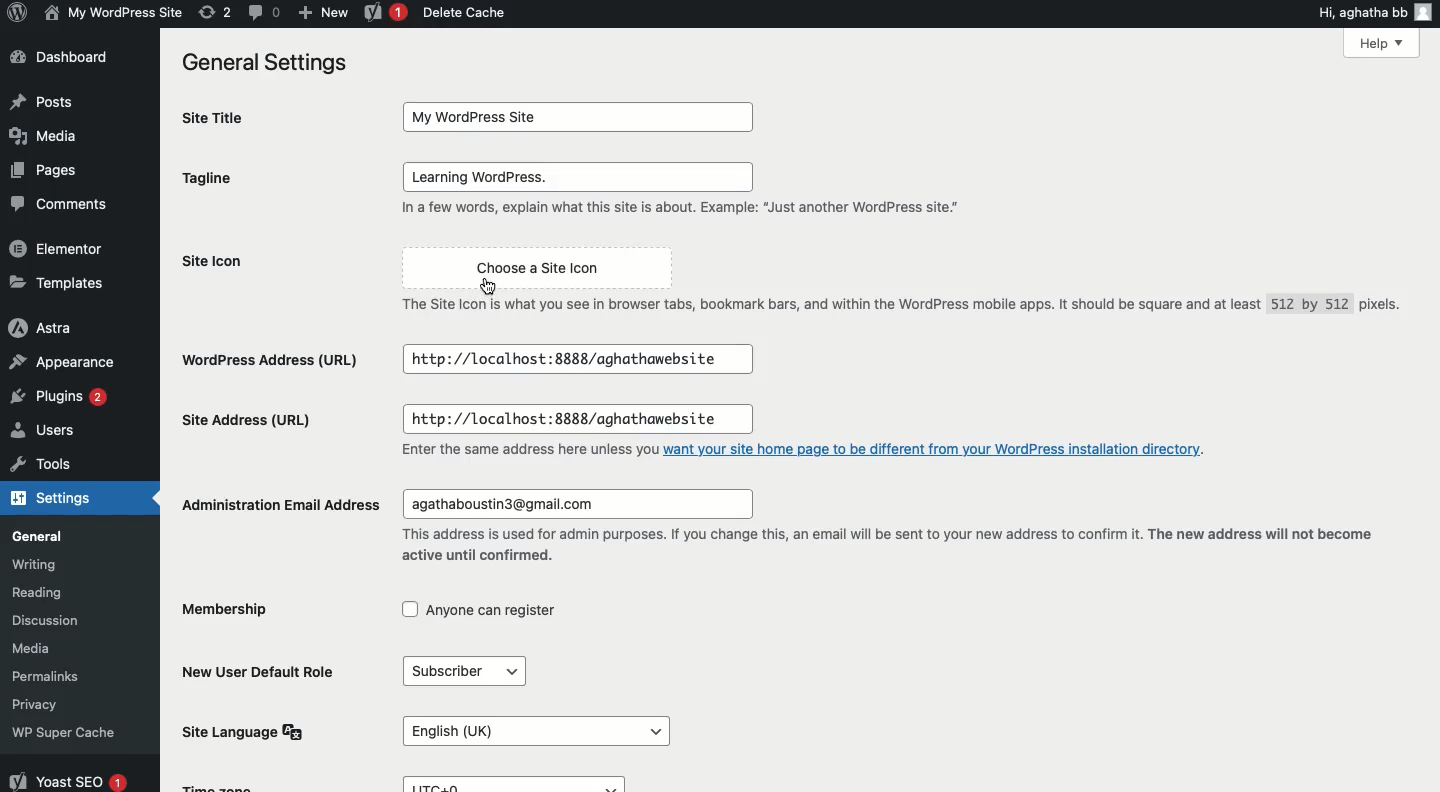 The image size is (1440, 792). Describe the element at coordinates (323, 11) in the screenshot. I see `New` at that location.